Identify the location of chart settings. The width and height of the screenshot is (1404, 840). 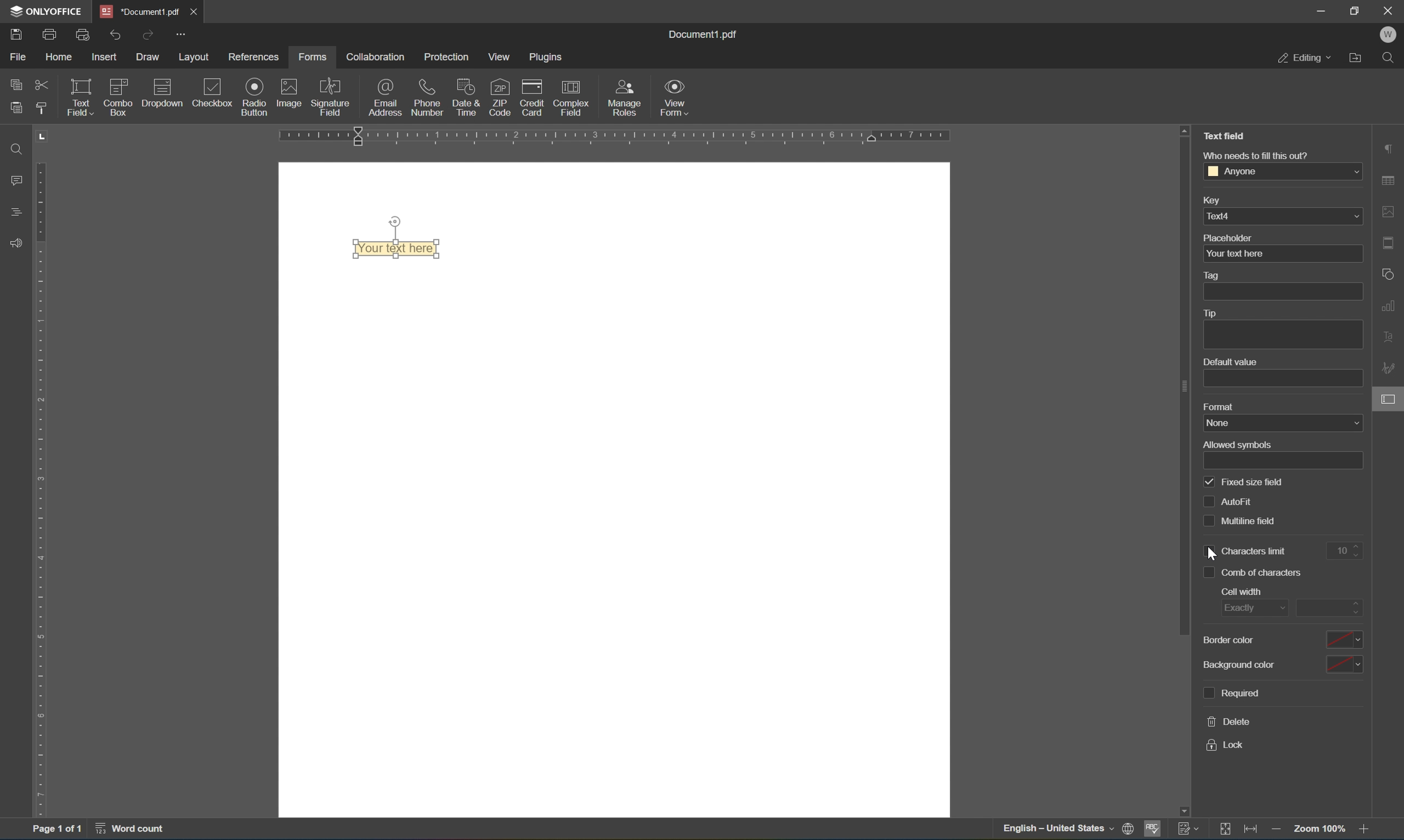
(1392, 306).